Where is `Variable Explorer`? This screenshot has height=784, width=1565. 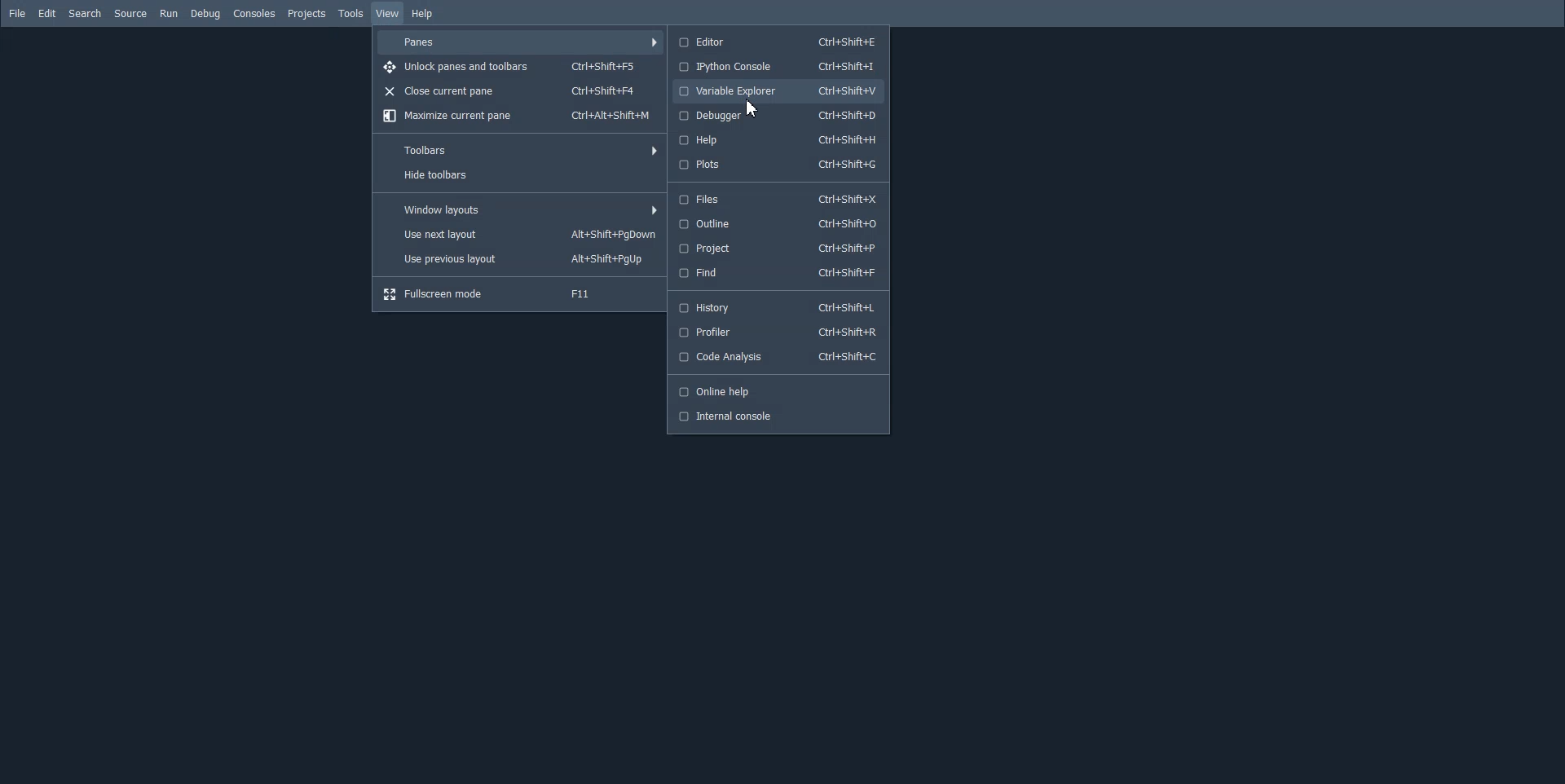
Variable Explorer is located at coordinates (777, 91).